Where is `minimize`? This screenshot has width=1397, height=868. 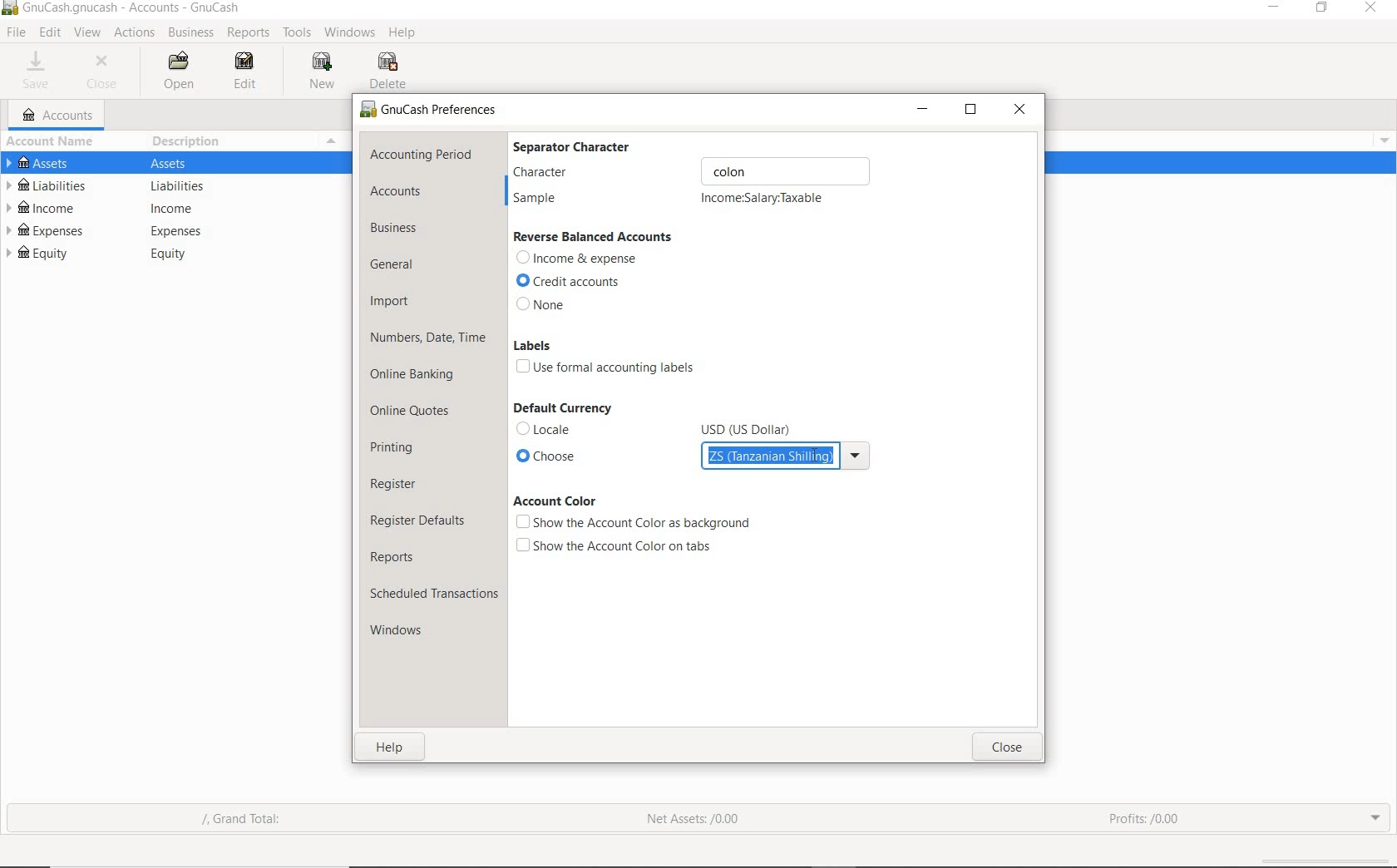
minimize is located at coordinates (1271, 8).